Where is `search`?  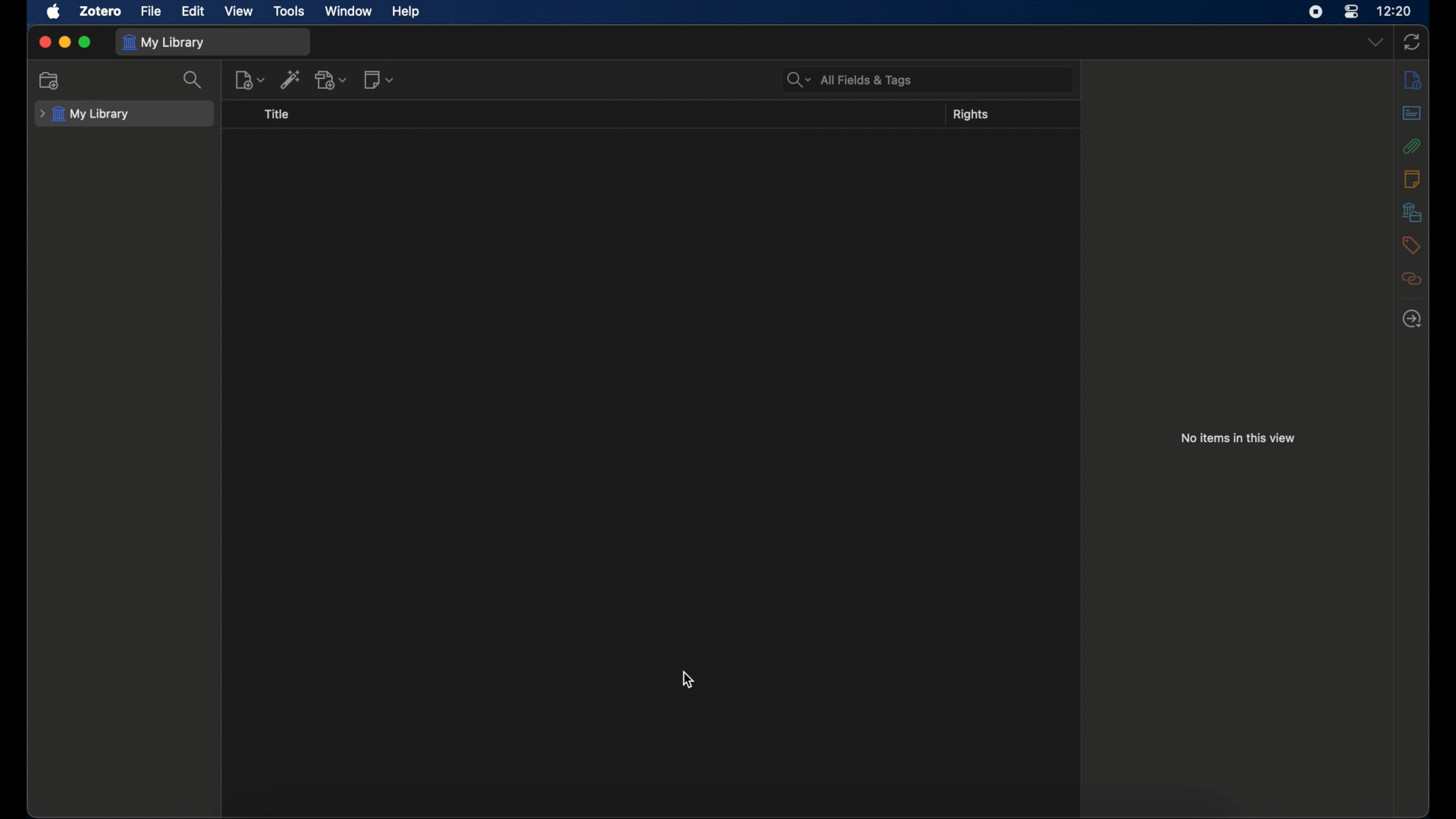 search is located at coordinates (193, 80).